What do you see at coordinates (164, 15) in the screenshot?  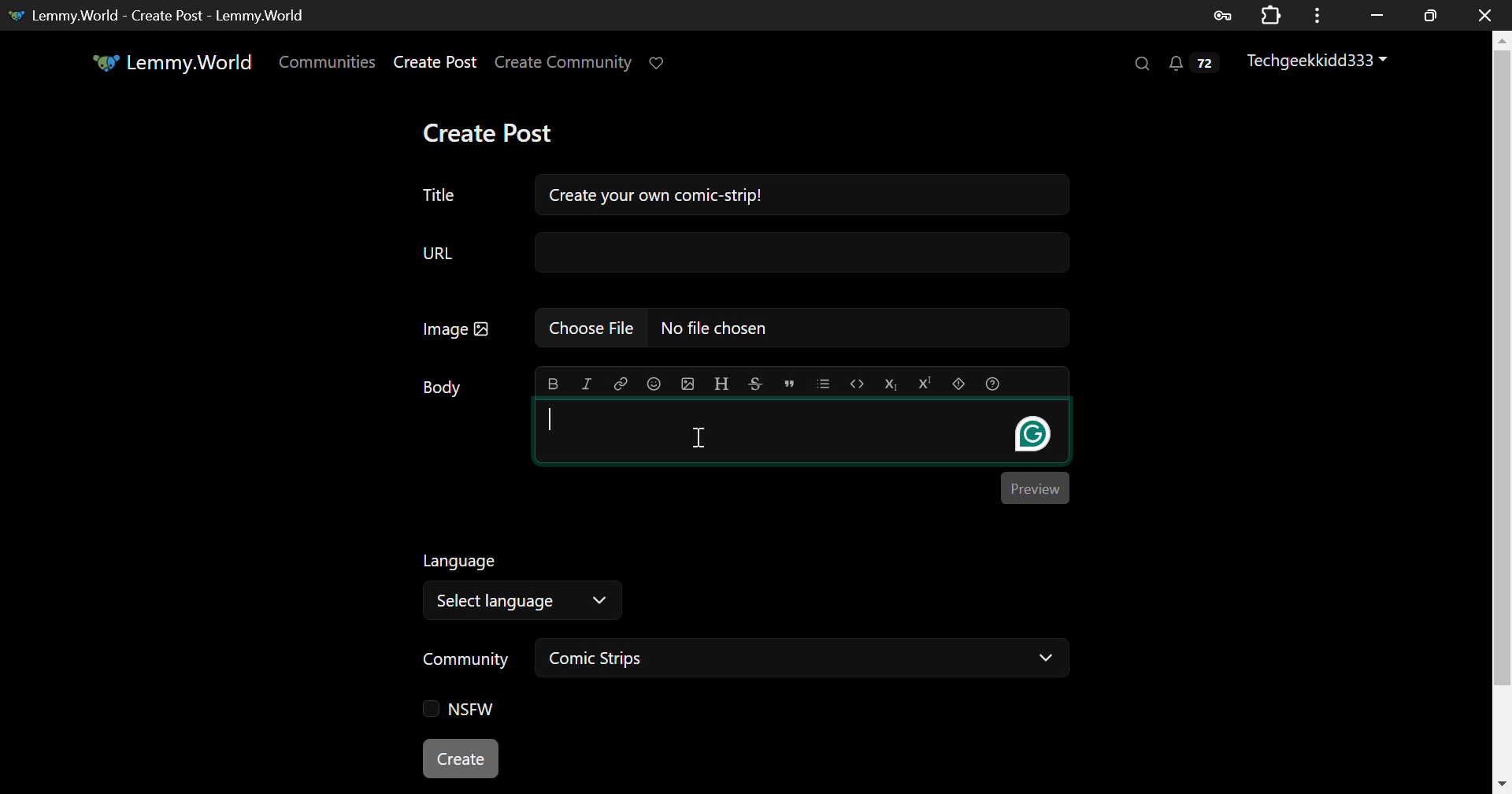 I see `Lemmy.World - Create Post - Lemmy.World` at bounding box center [164, 15].